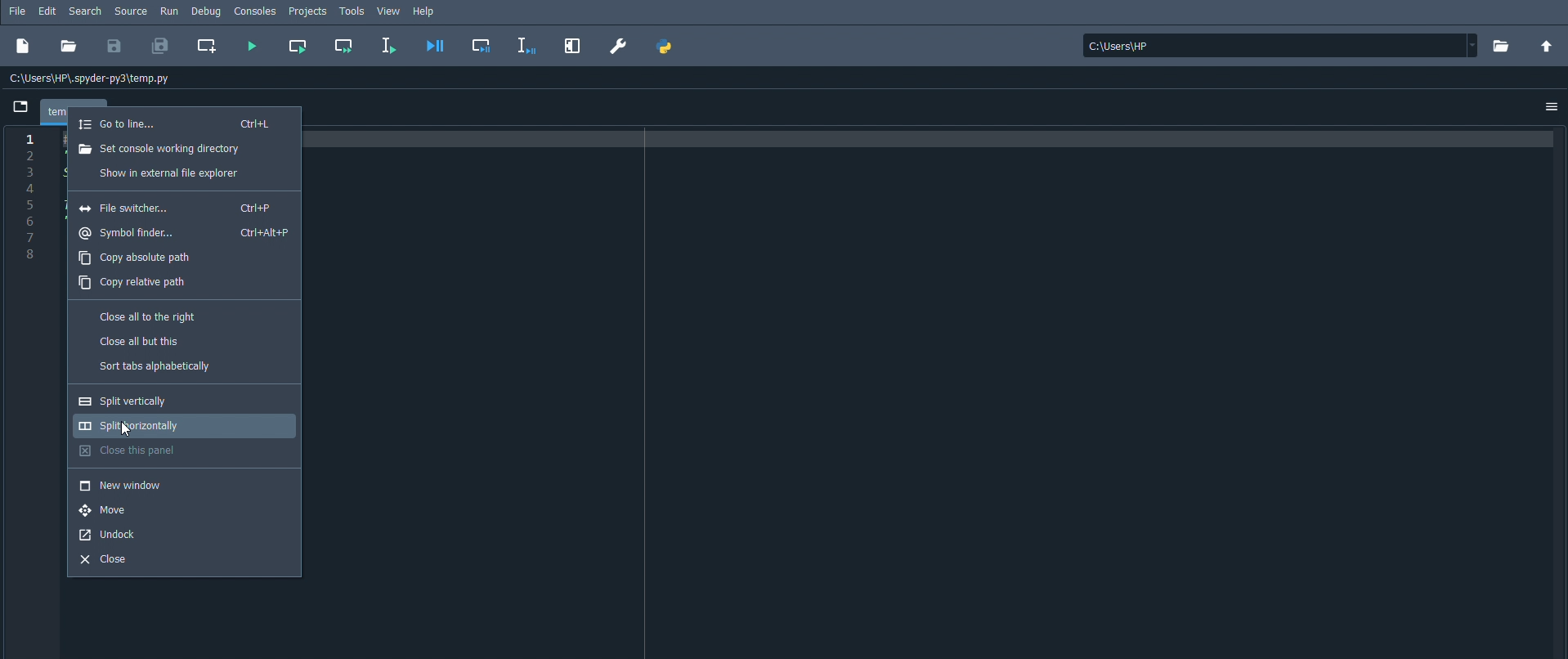 This screenshot has width=1568, height=659. What do you see at coordinates (116, 511) in the screenshot?
I see `Move` at bounding box center [116, 511].